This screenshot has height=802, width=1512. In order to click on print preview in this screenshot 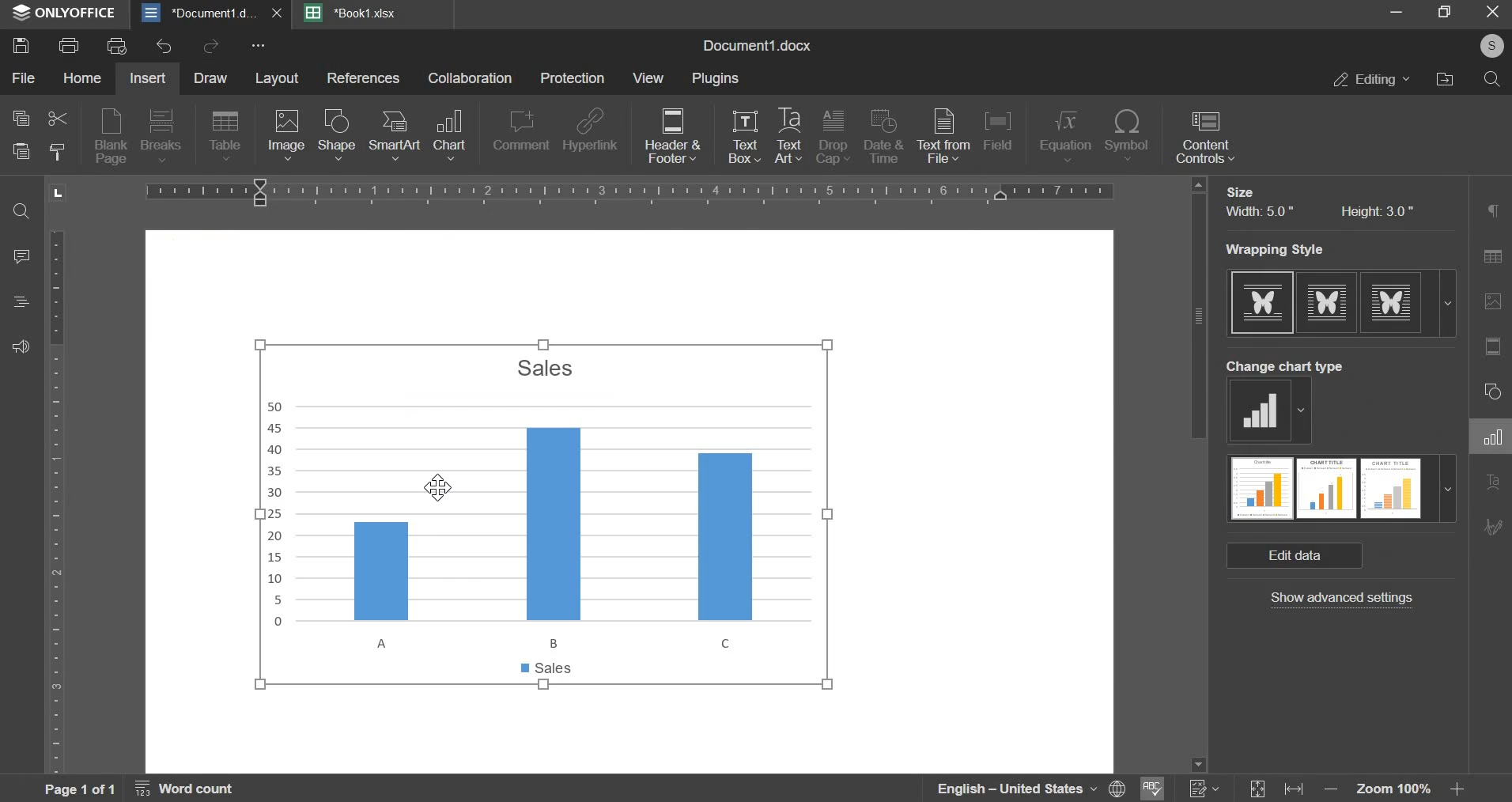, I will do `click(119, 45)`.